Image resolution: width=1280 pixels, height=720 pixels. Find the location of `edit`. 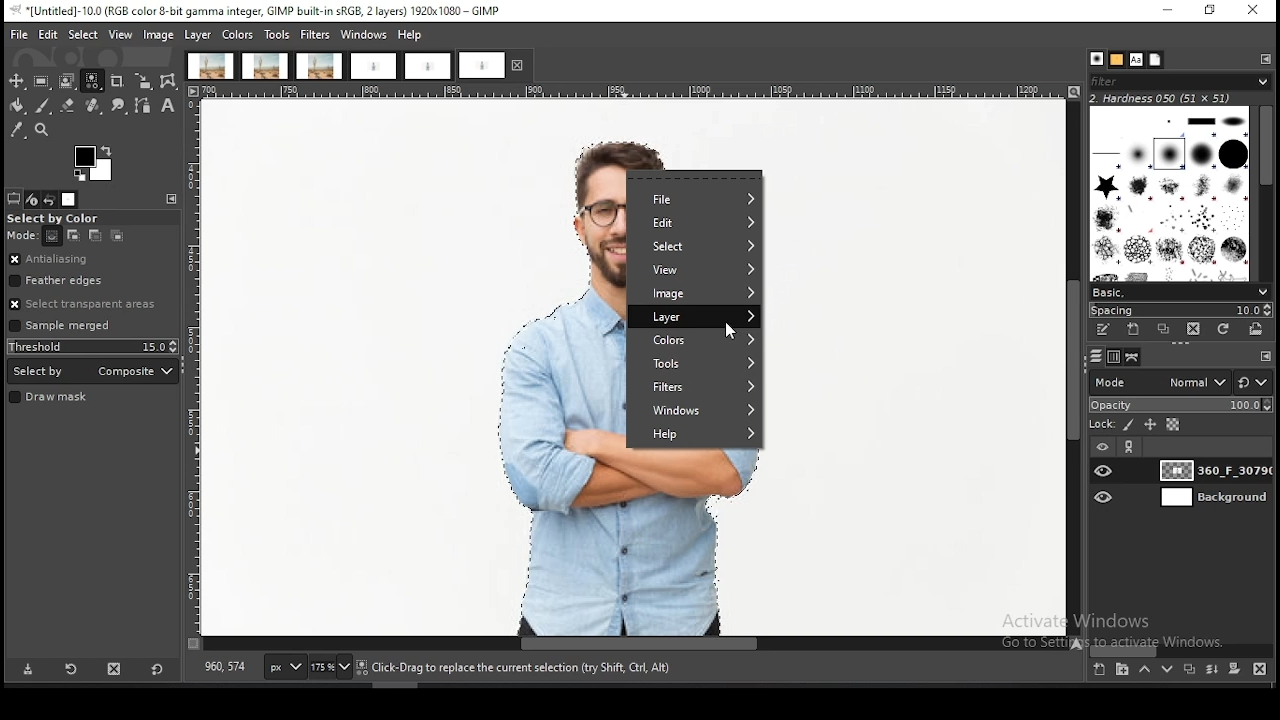

edit is located at coordinates (696, 223).